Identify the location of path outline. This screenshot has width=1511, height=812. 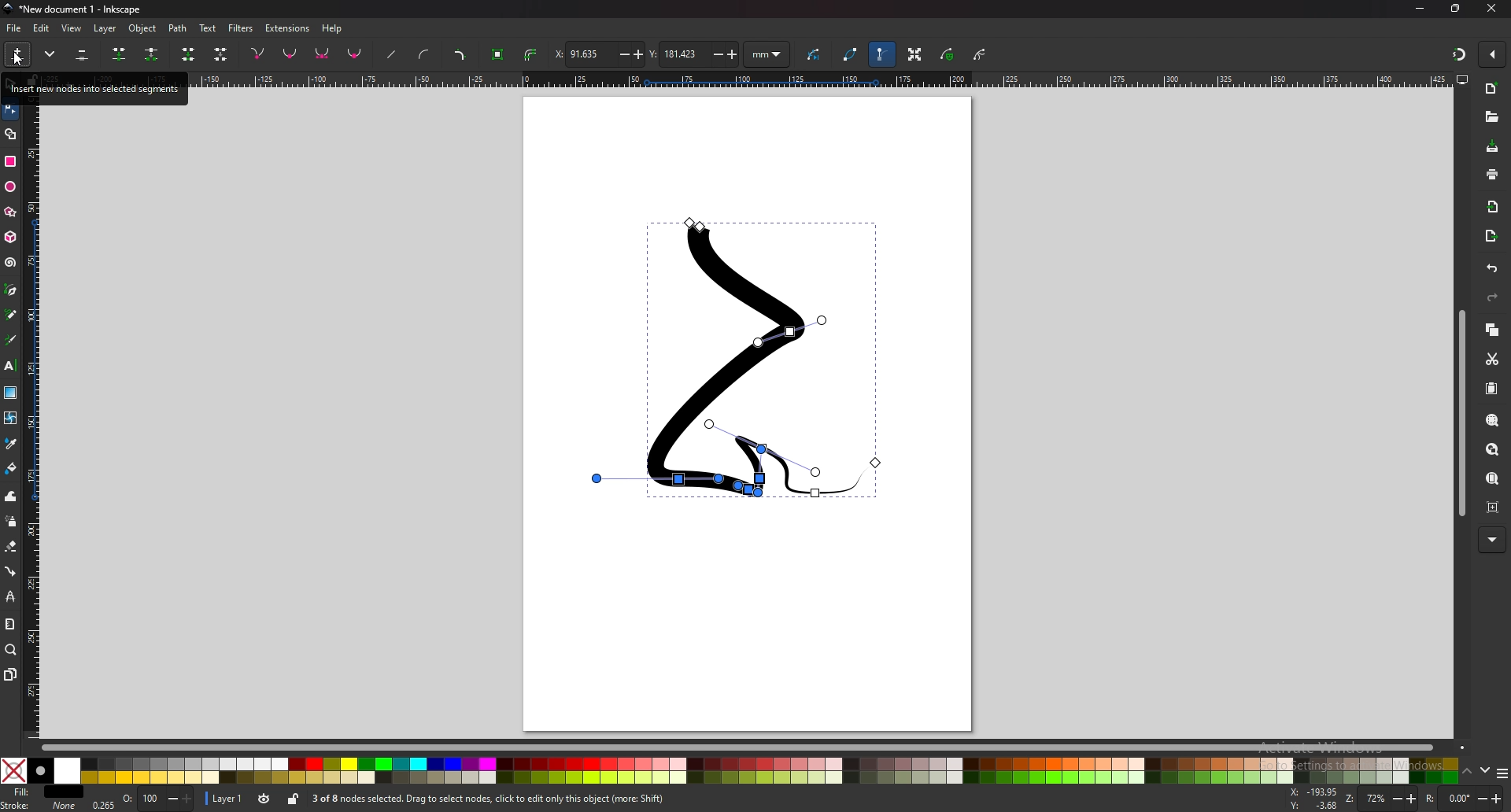
(852, 54).